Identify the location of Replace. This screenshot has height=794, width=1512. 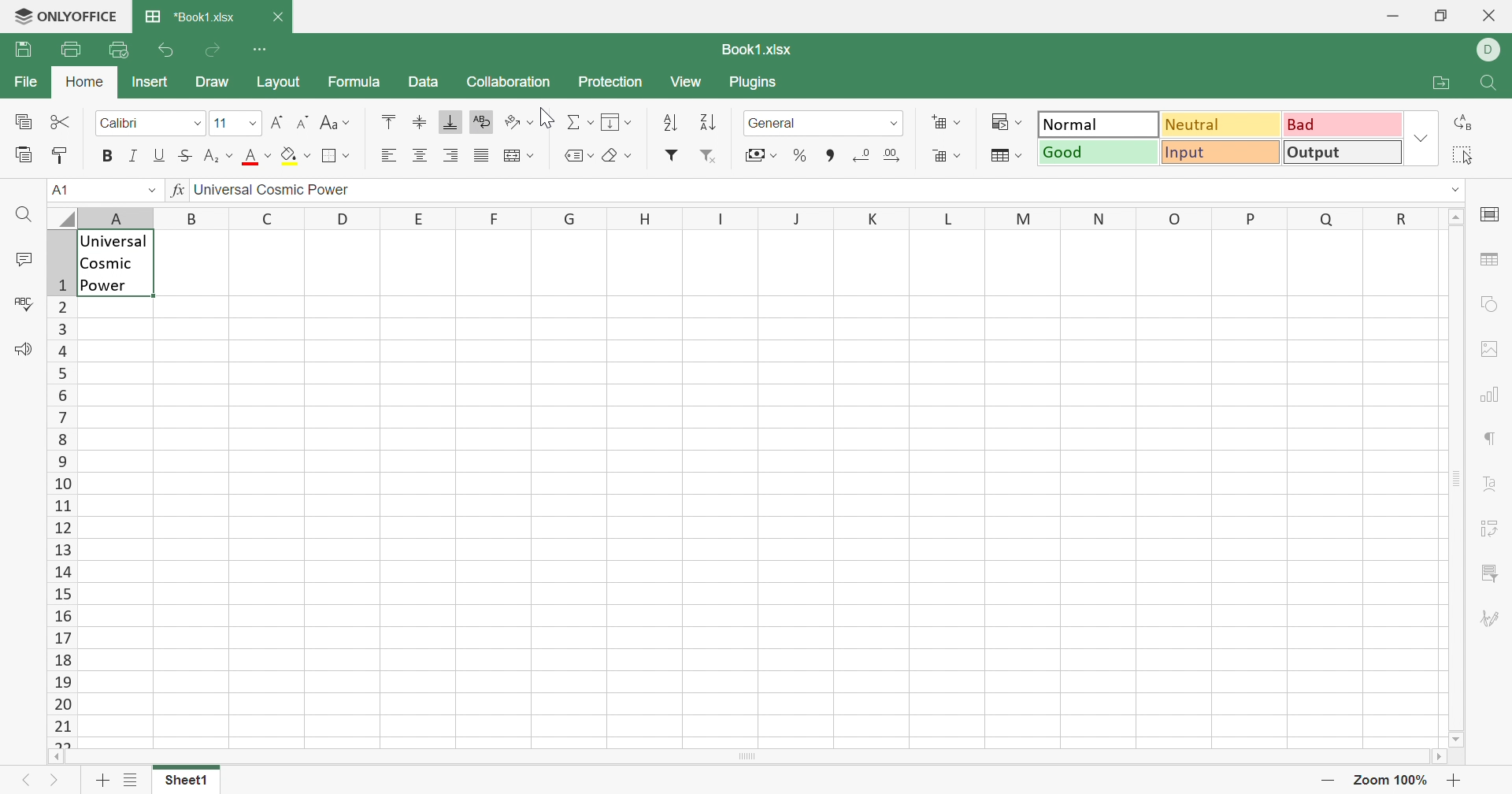
(1467, 122).